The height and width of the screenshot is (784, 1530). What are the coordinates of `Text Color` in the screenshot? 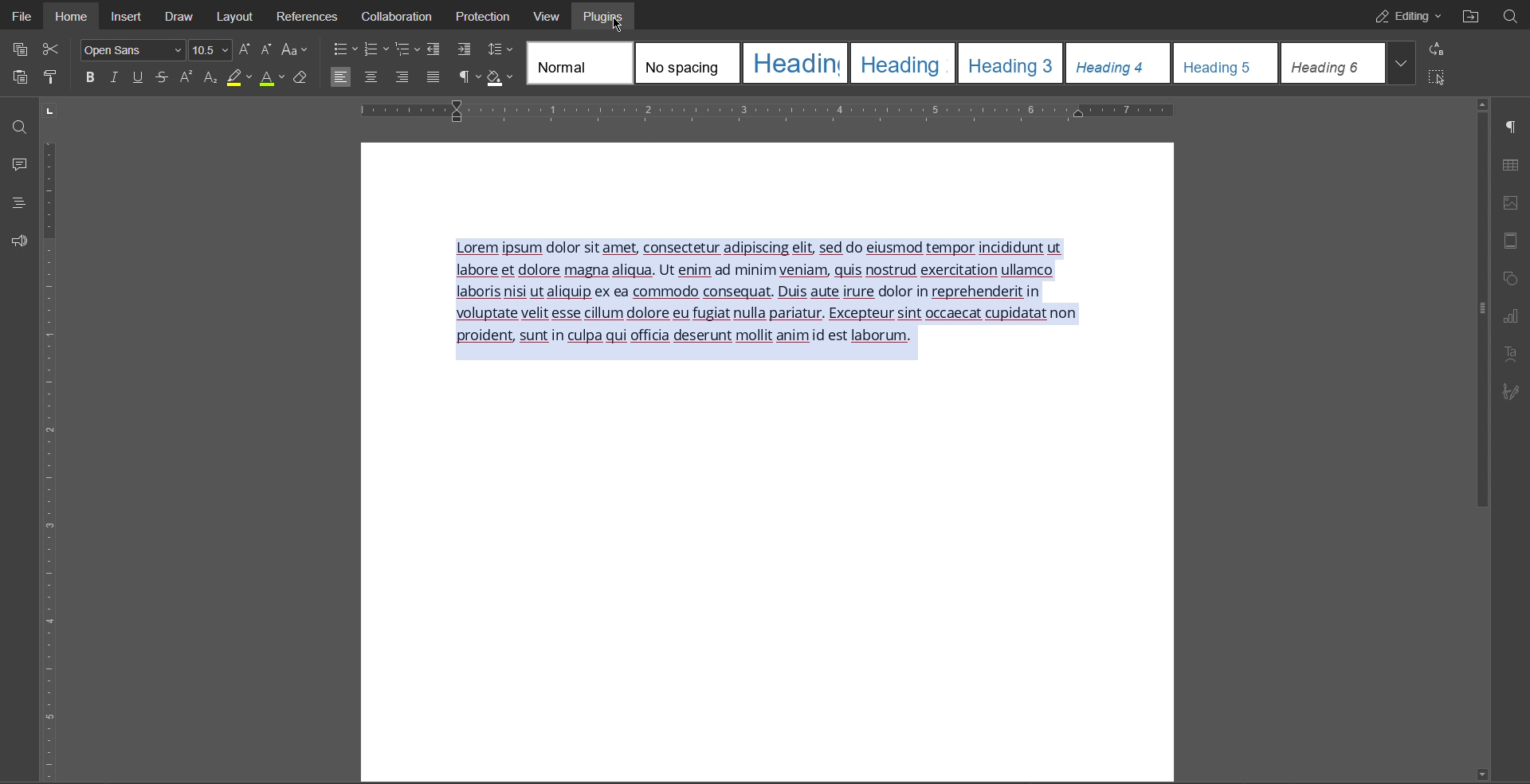 It's located at (272, 78).